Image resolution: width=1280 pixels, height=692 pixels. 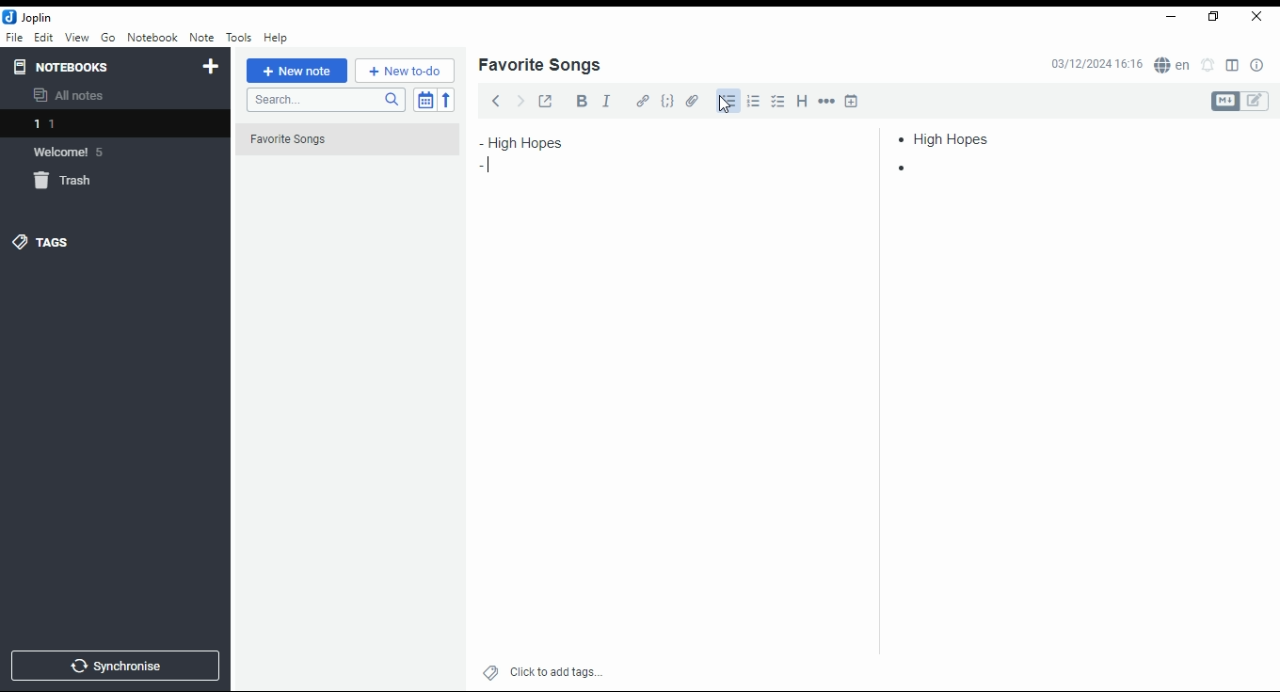 I want to click on code, so click(x=667, y=101).